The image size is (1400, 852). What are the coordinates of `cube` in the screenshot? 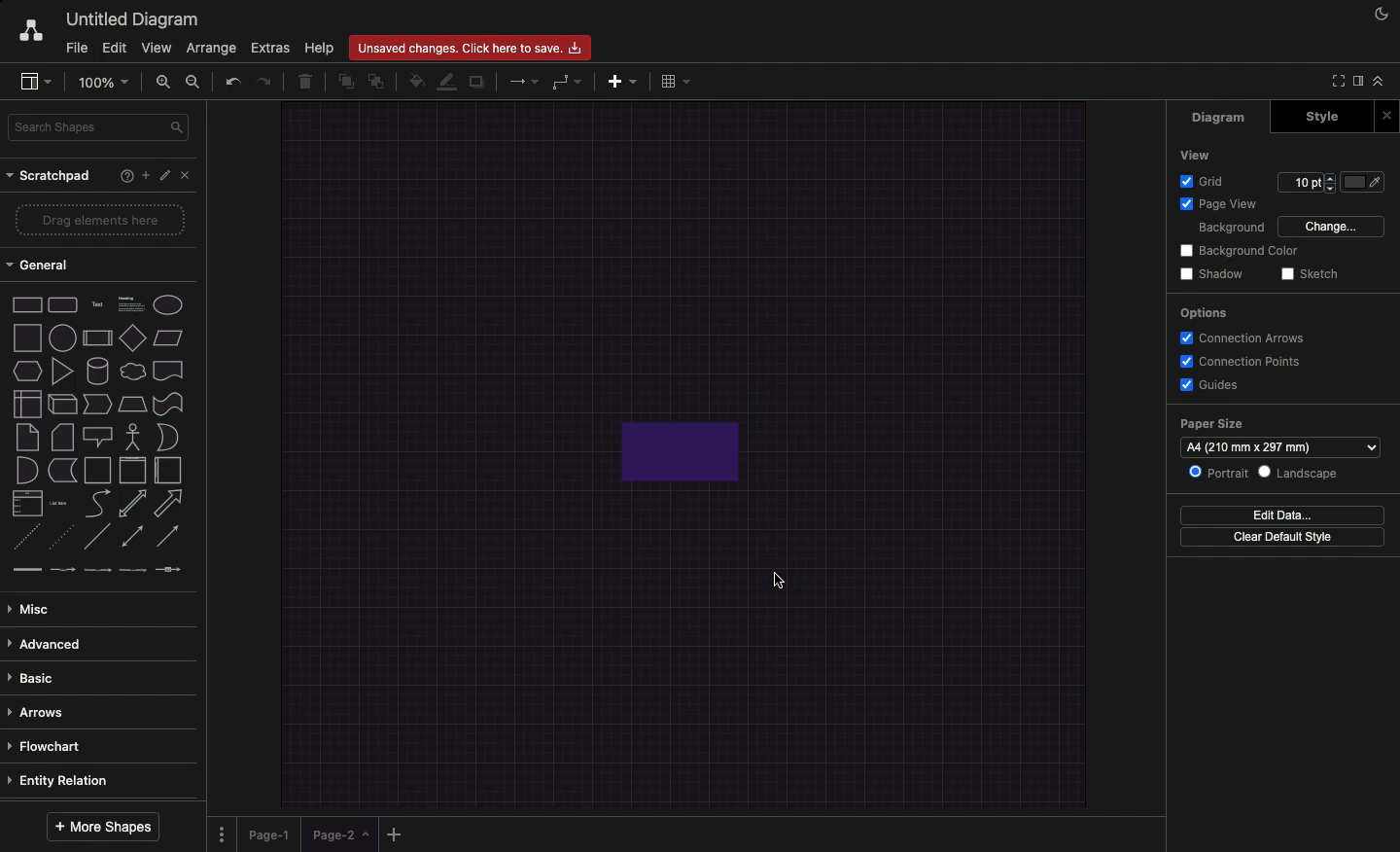 It's located at (60, 404).